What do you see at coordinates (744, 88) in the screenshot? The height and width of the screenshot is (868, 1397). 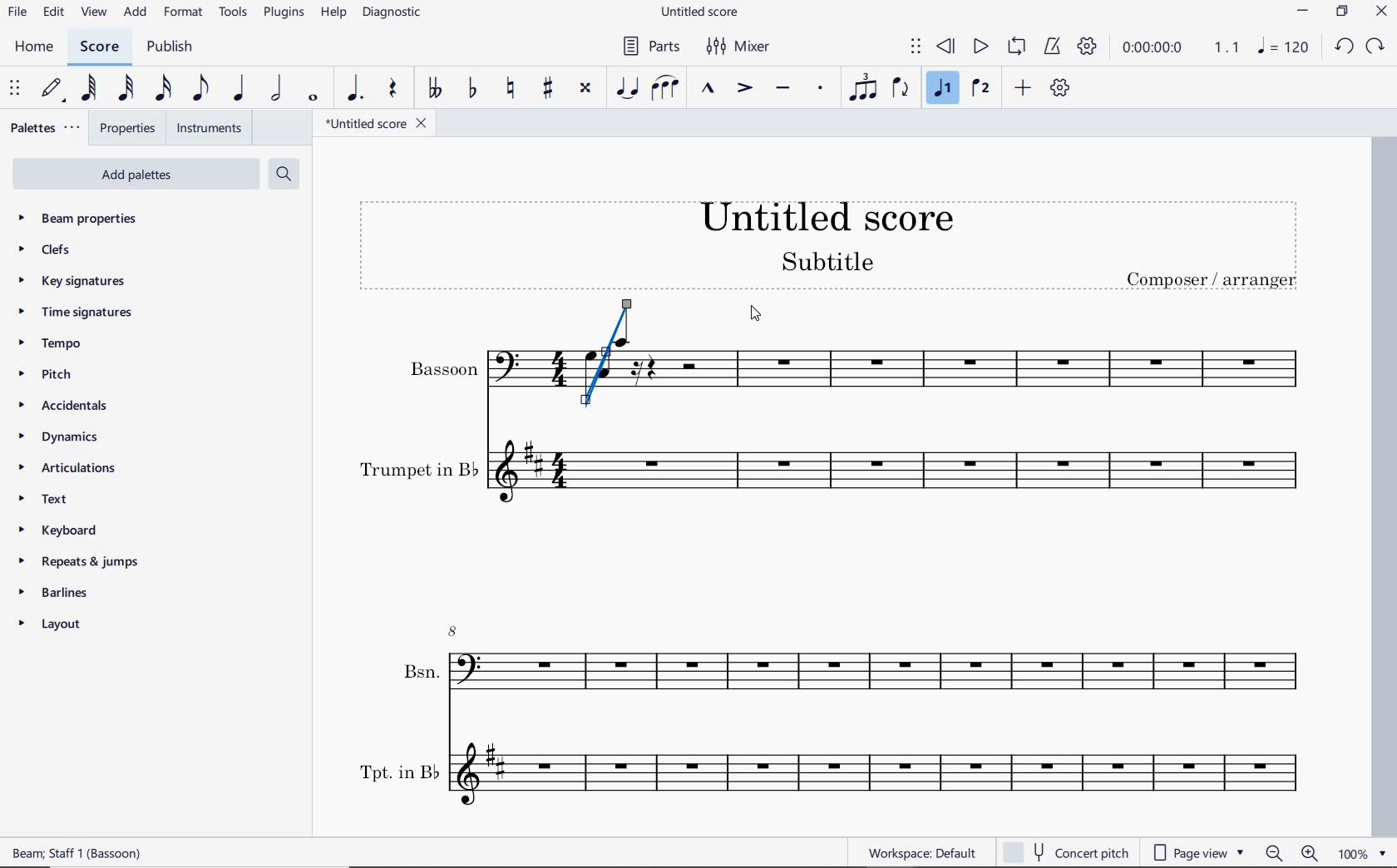 I see `accent` at bounding box center [744, 88].